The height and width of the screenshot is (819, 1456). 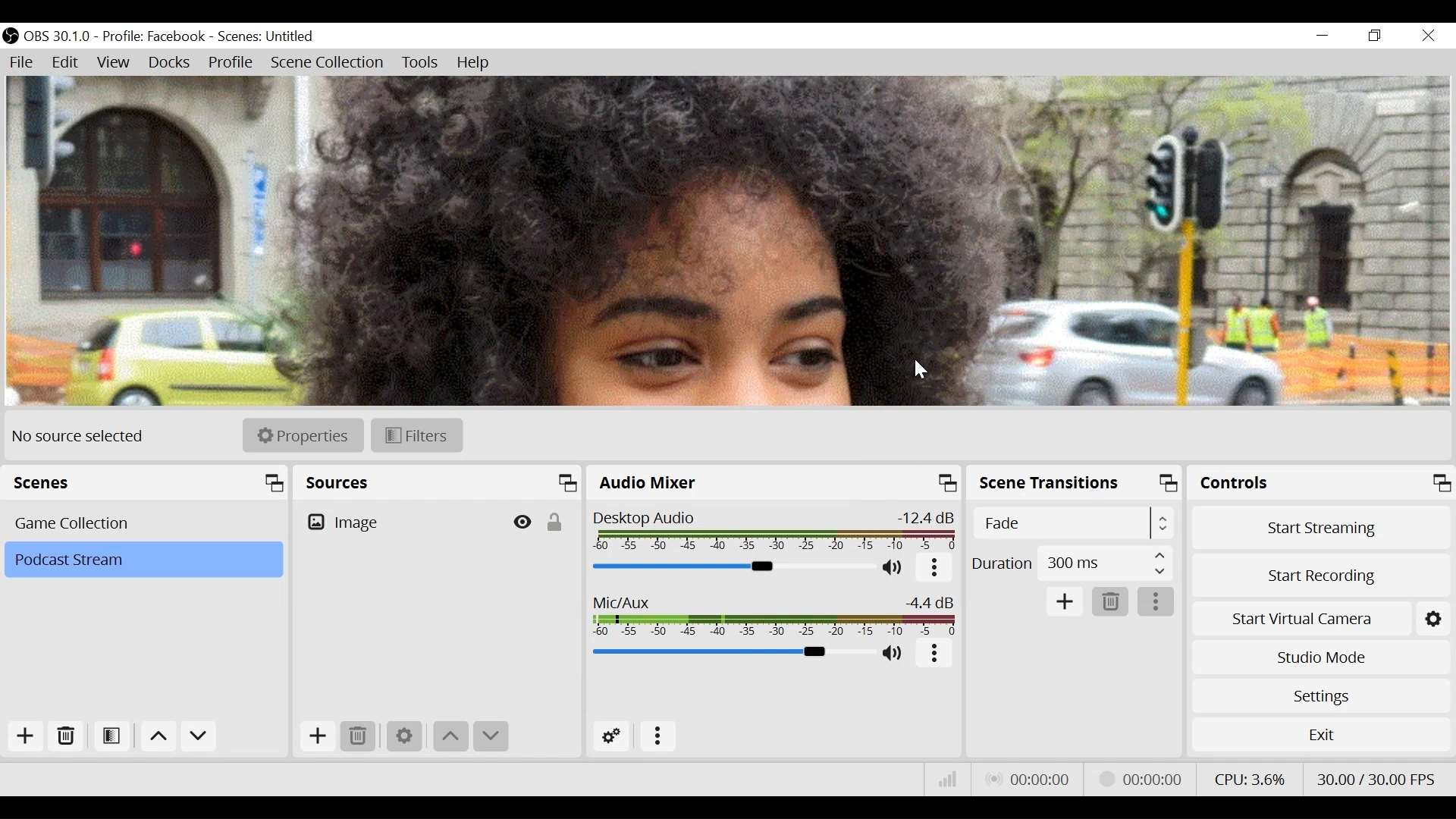 I want to click on Desktop Audio , so click(x=774, y=531).